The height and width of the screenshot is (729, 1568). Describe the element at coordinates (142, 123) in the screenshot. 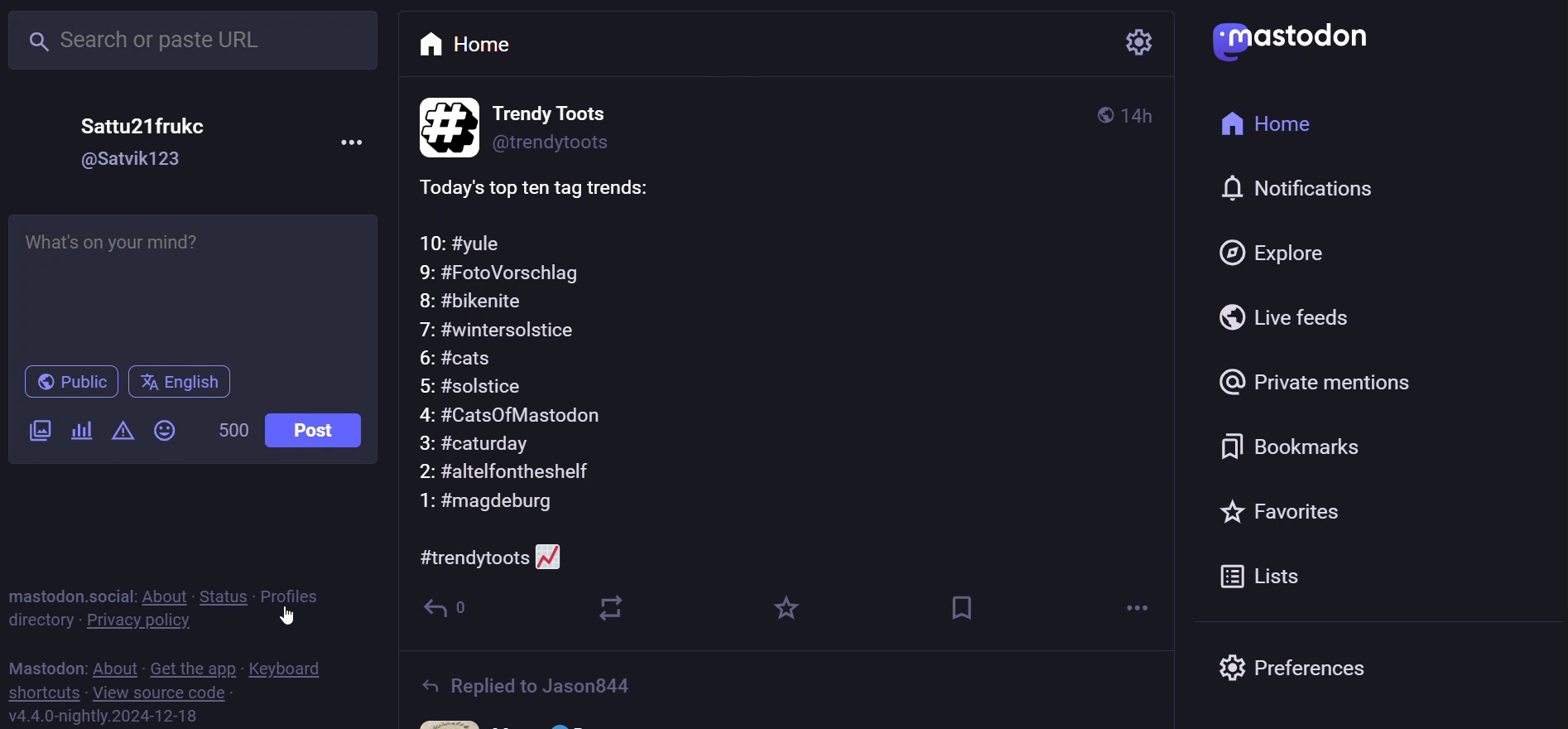

I see `Sattu21frukc` at that location.